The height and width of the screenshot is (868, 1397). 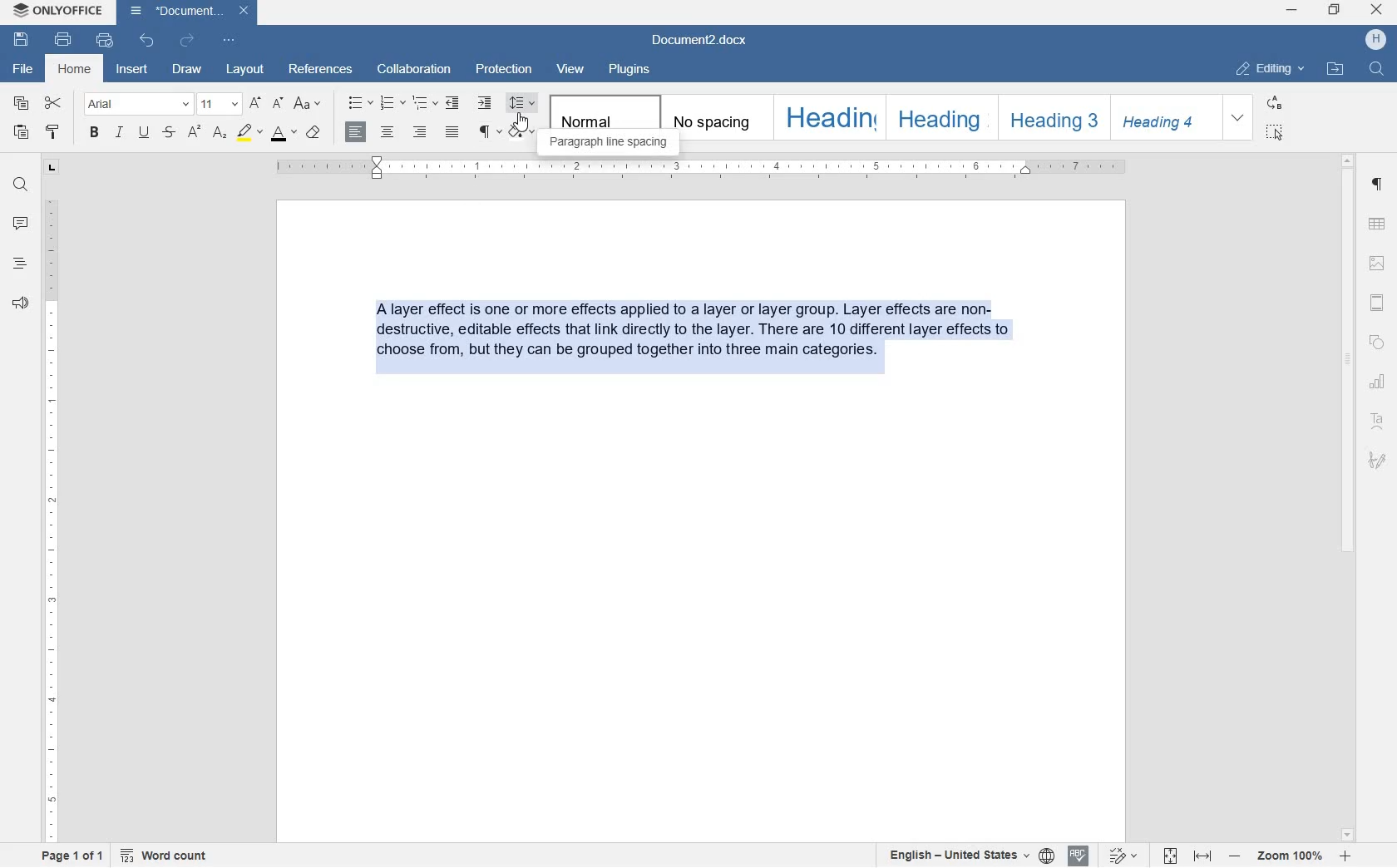 I want to click on paste, so click(x=23, y=133).